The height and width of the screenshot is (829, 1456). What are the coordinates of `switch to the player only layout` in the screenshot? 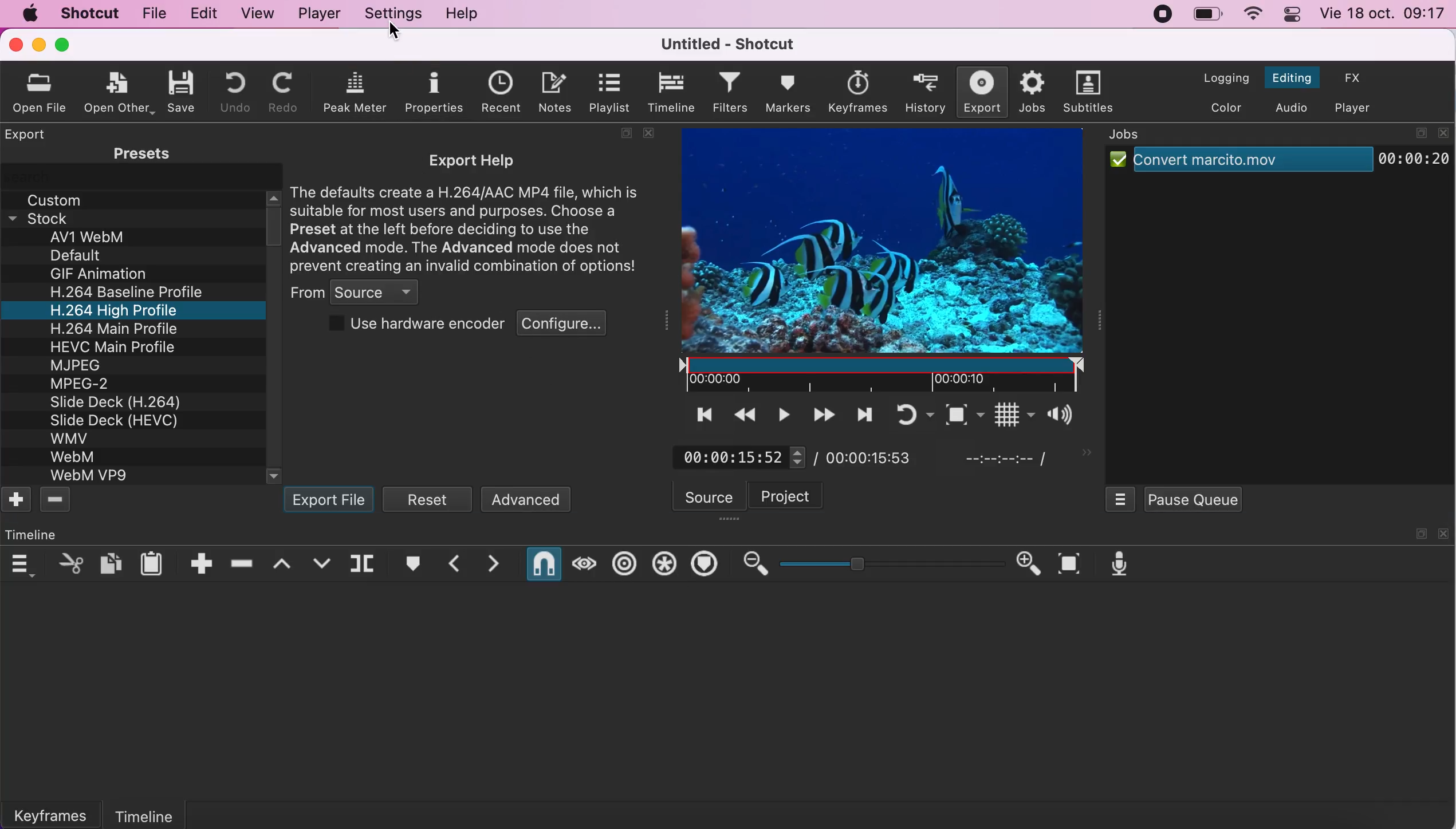 It's located at (1354, 109).